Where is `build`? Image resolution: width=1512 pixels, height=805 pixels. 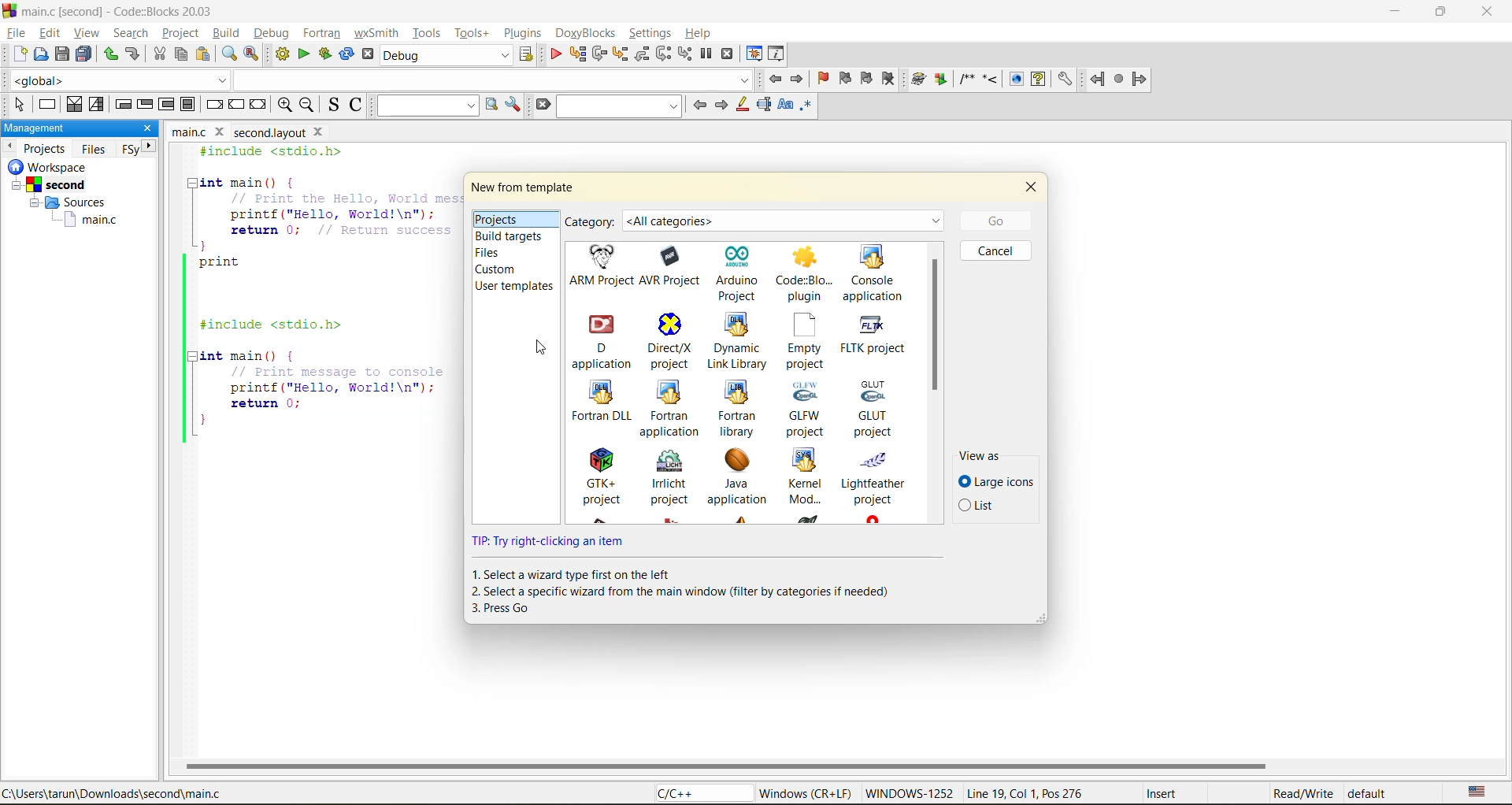 build is located at coordinates (281, 54).